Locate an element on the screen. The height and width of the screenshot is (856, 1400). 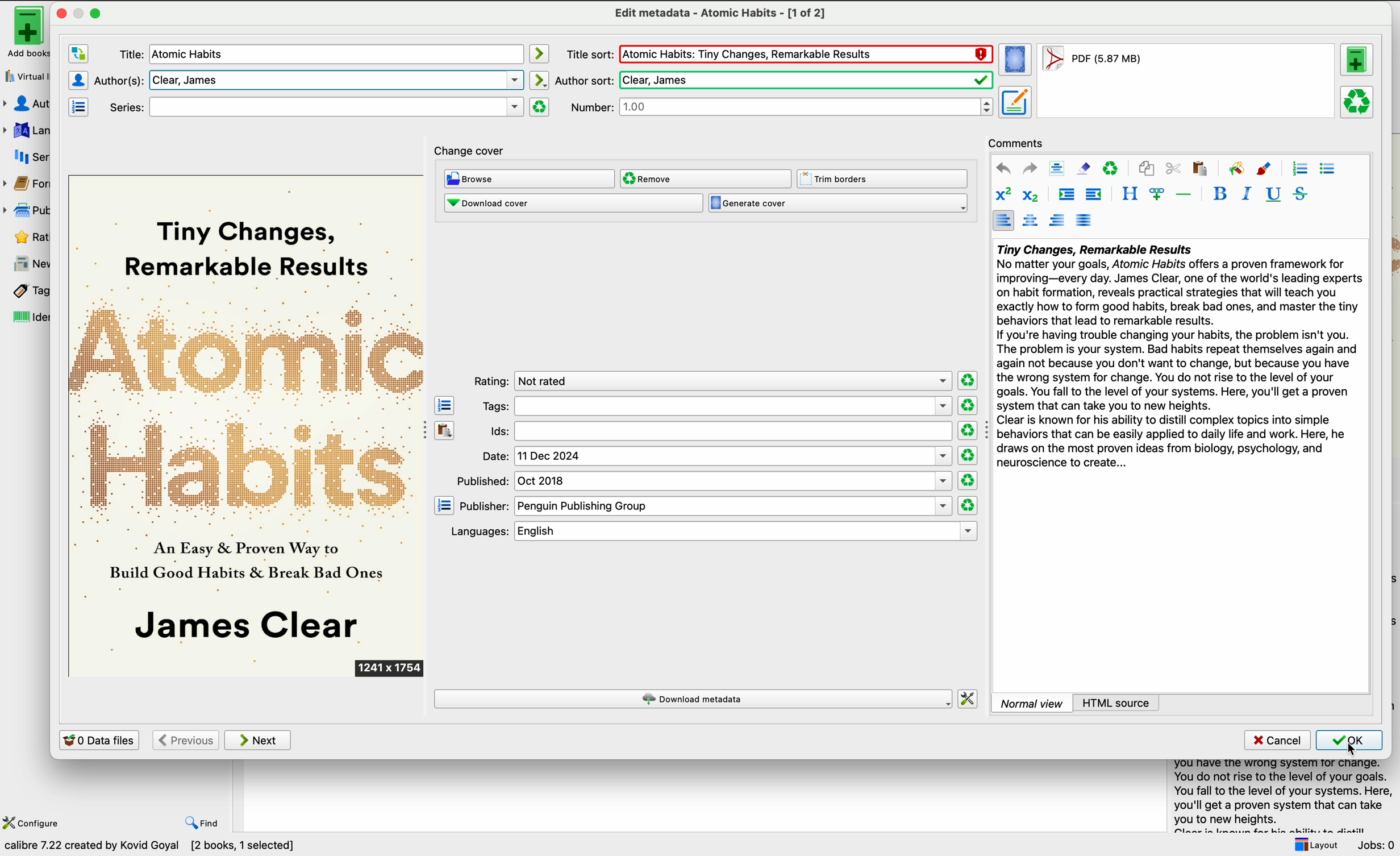
remove formatting is located at coordinates (1084, 168).